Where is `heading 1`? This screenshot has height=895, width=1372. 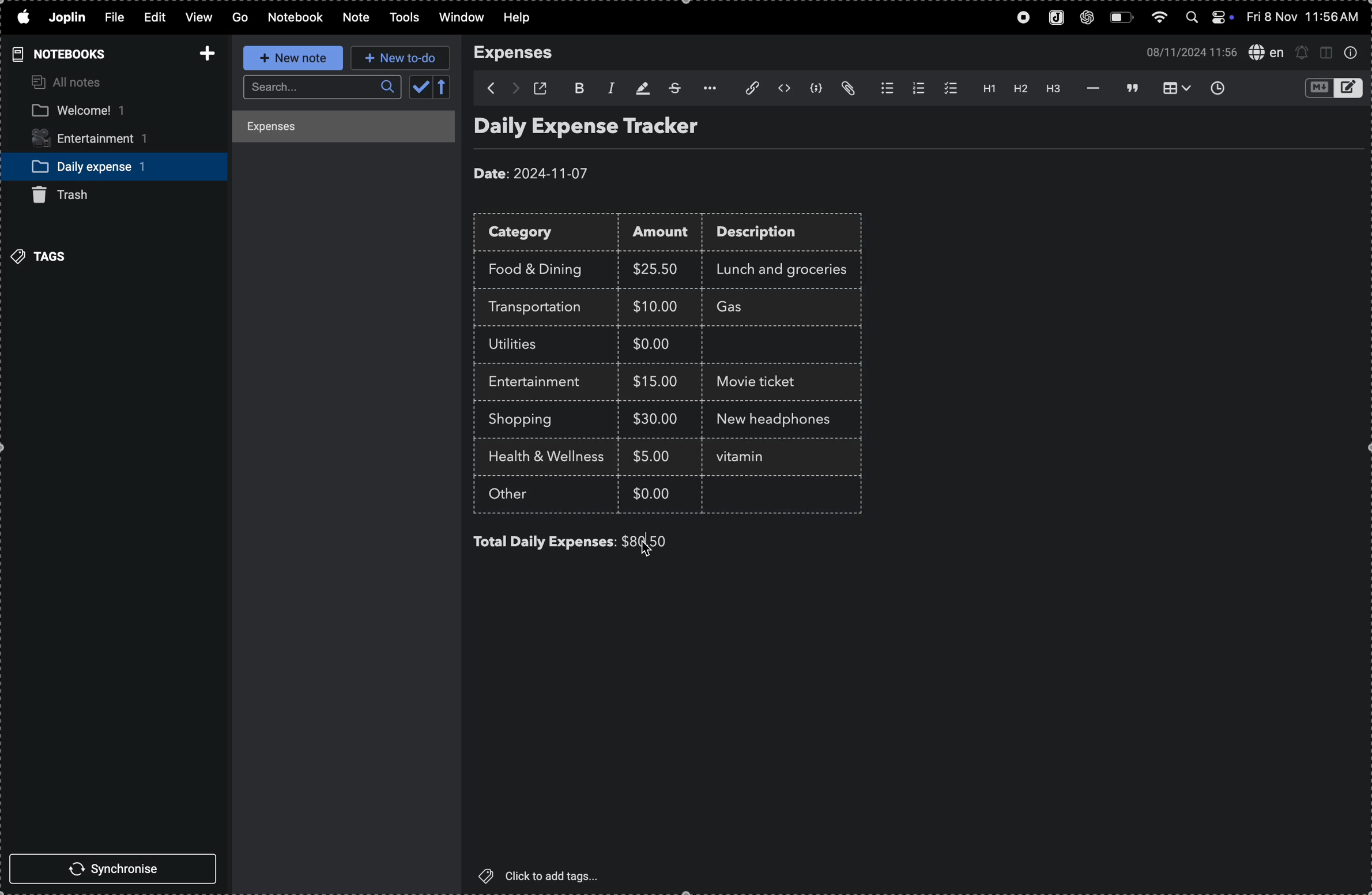
heading 1 is located at coordinates (984, 89).